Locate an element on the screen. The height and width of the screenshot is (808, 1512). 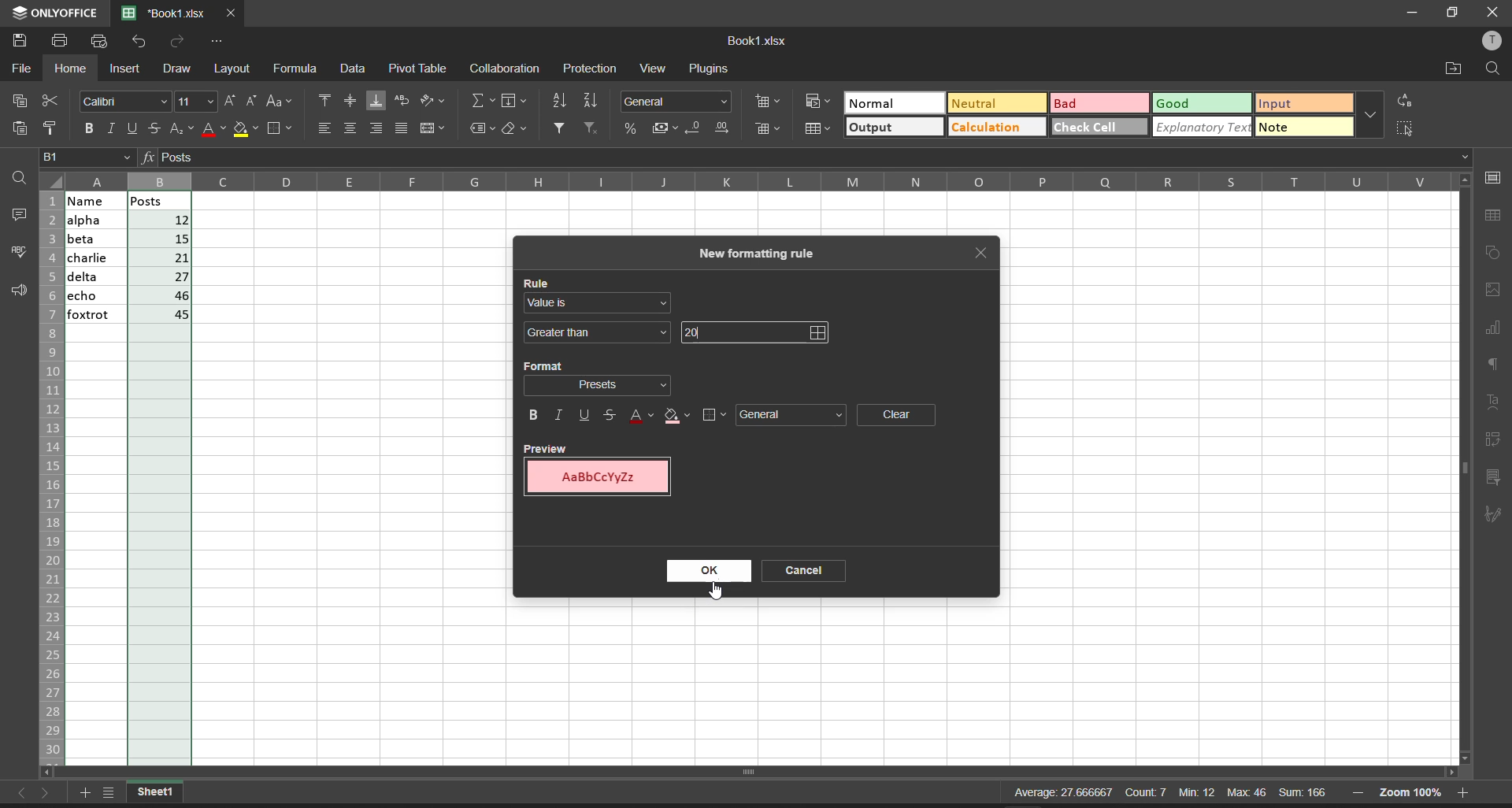
strikethrough is located at coordinates (611, 416).